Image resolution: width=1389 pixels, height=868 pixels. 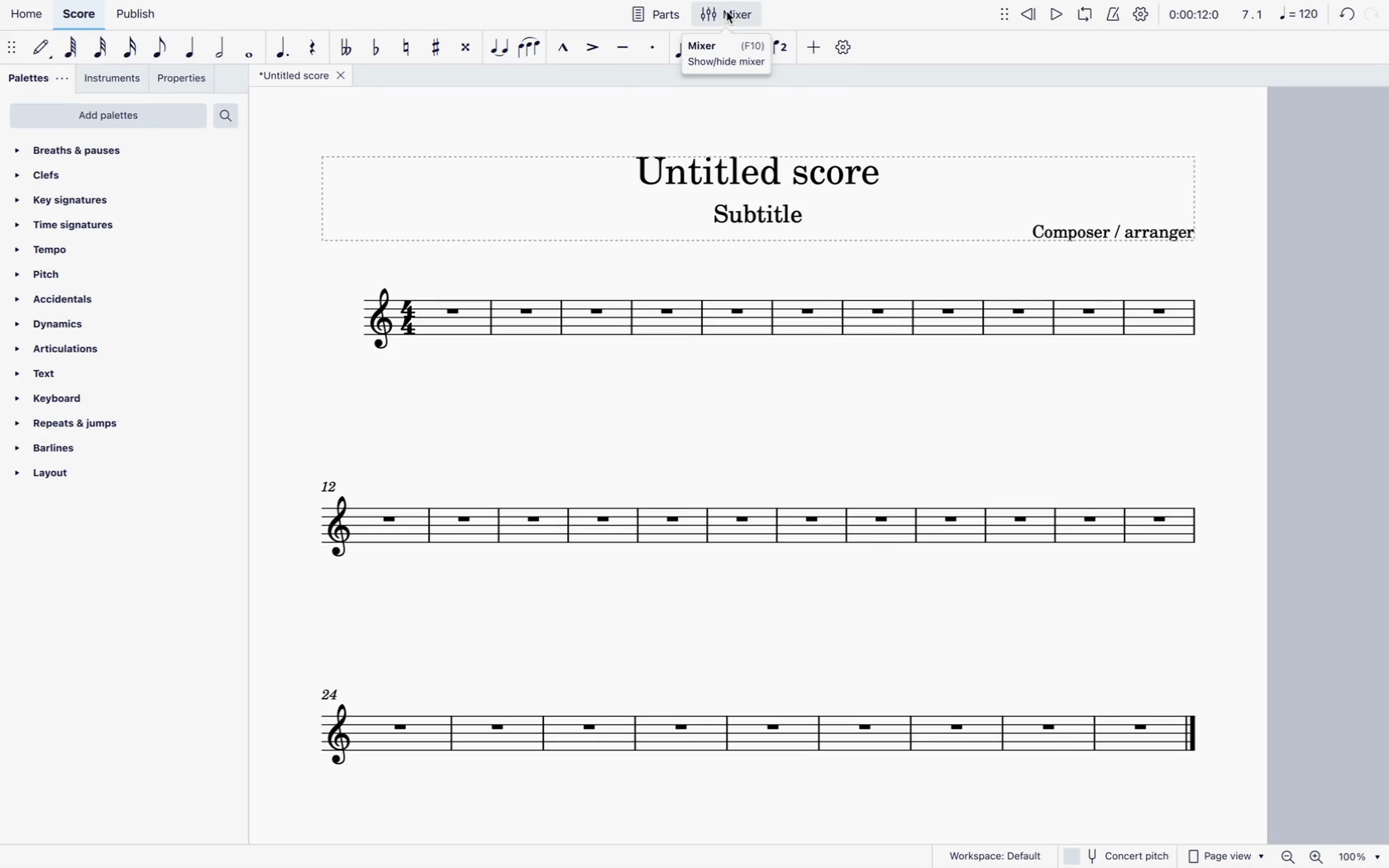 I want to click on toggle double sharp, so click(x=466, y=49).